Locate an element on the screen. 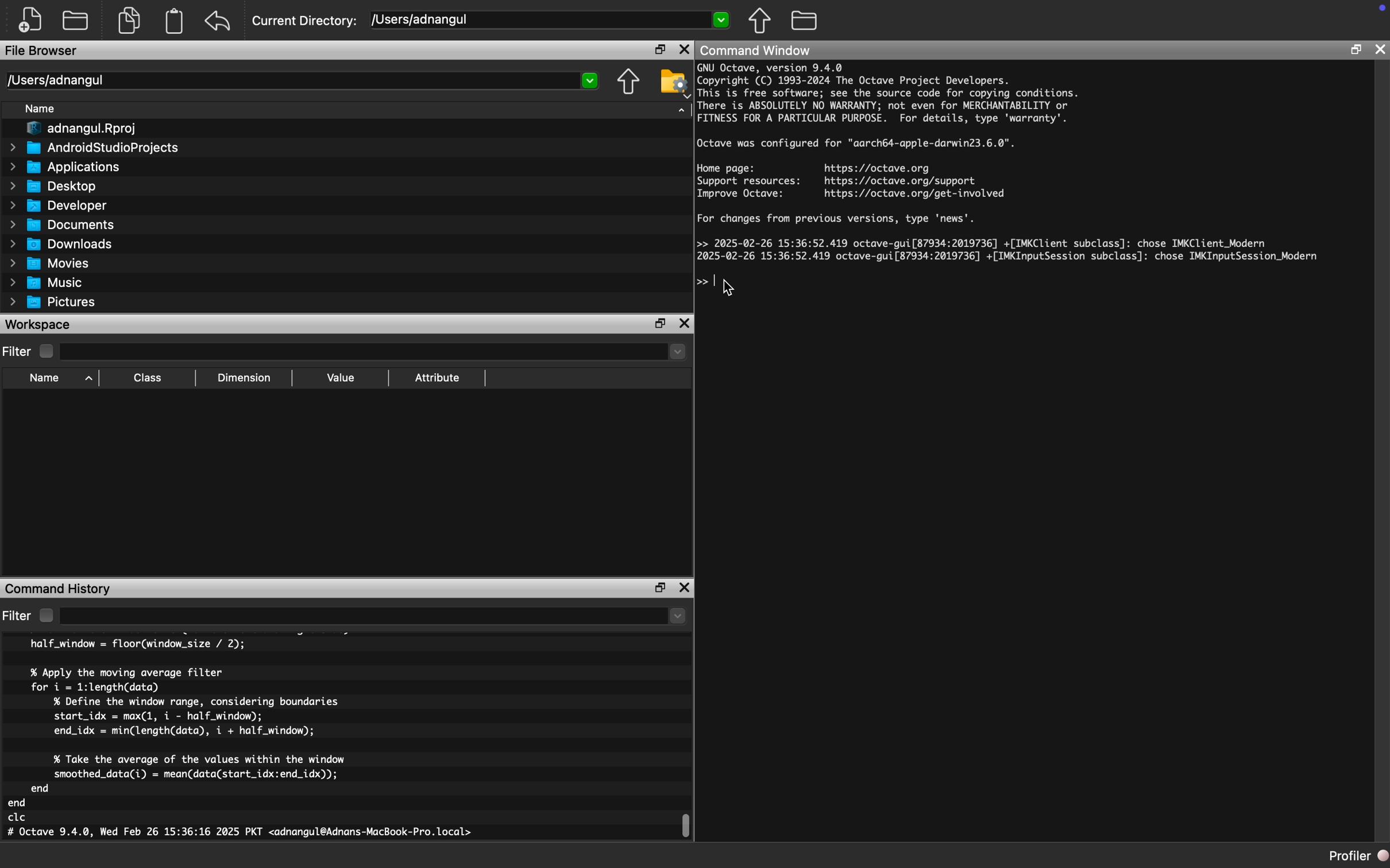 The height and width of the screenshot is (868, 1390). Attribute is located at coordinates (438, 378).